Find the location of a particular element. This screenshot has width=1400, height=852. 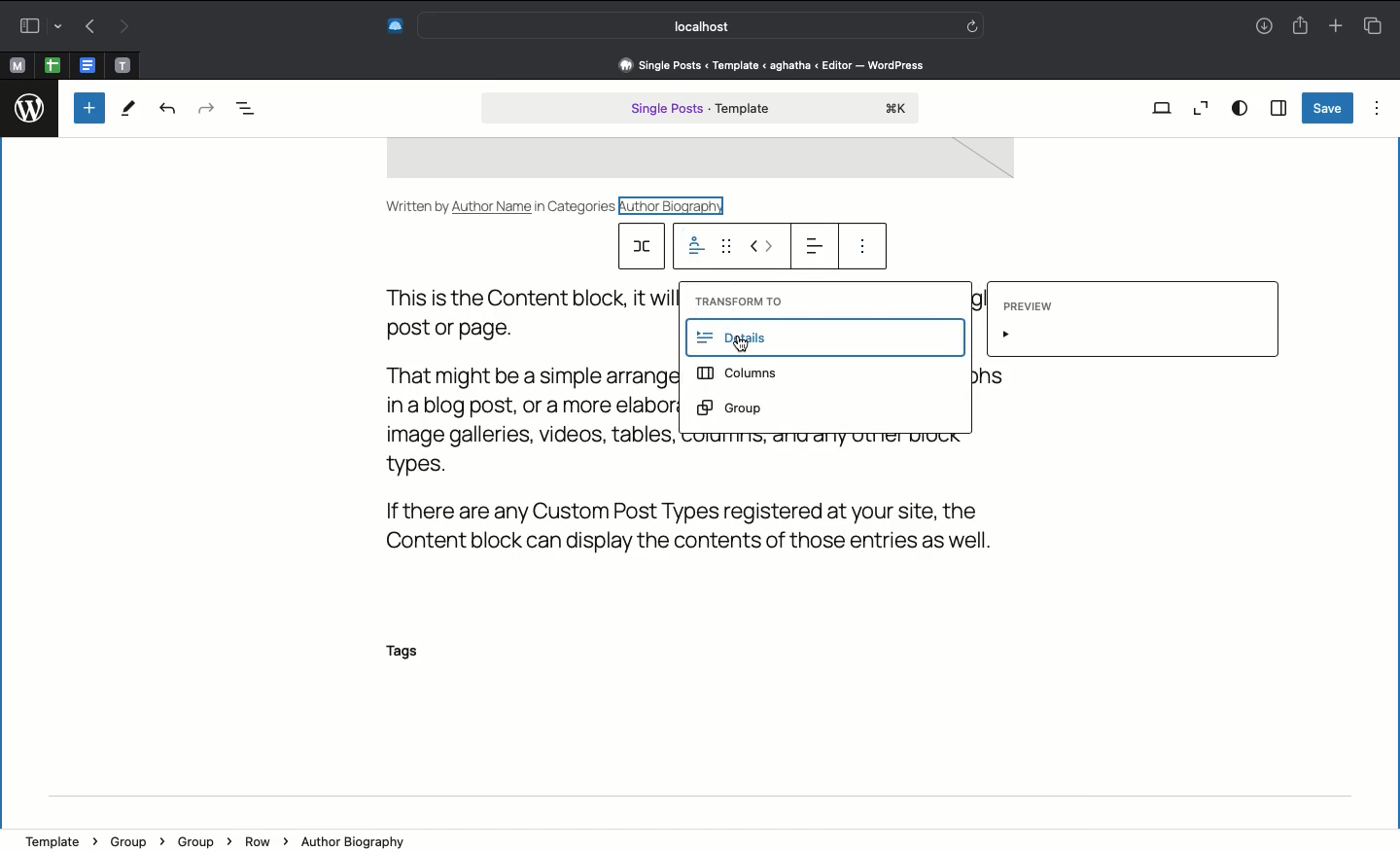

row is located at coordinates (645, 246).